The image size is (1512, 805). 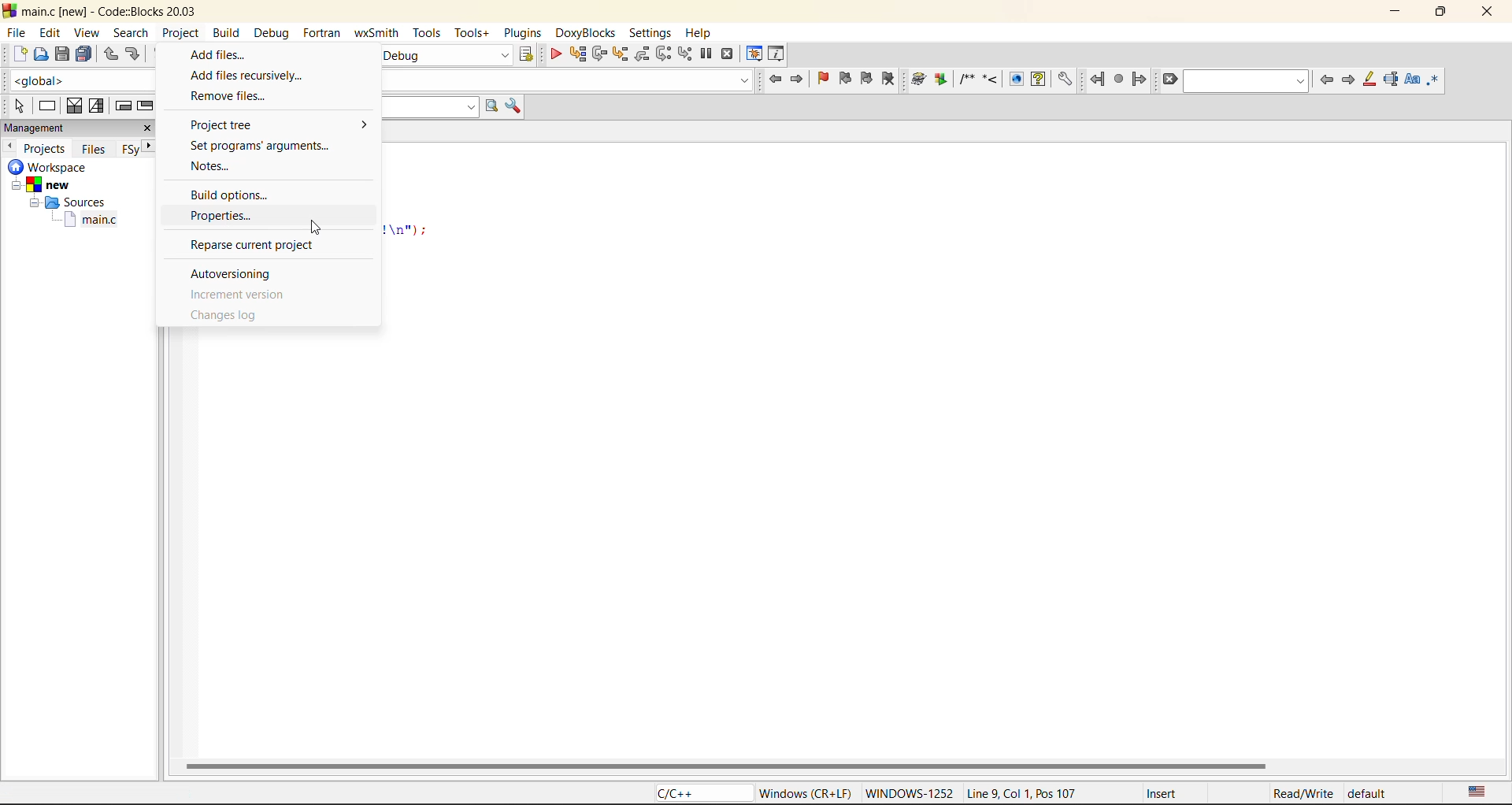 I want to click on Insert, so click(x=1185, y=792).